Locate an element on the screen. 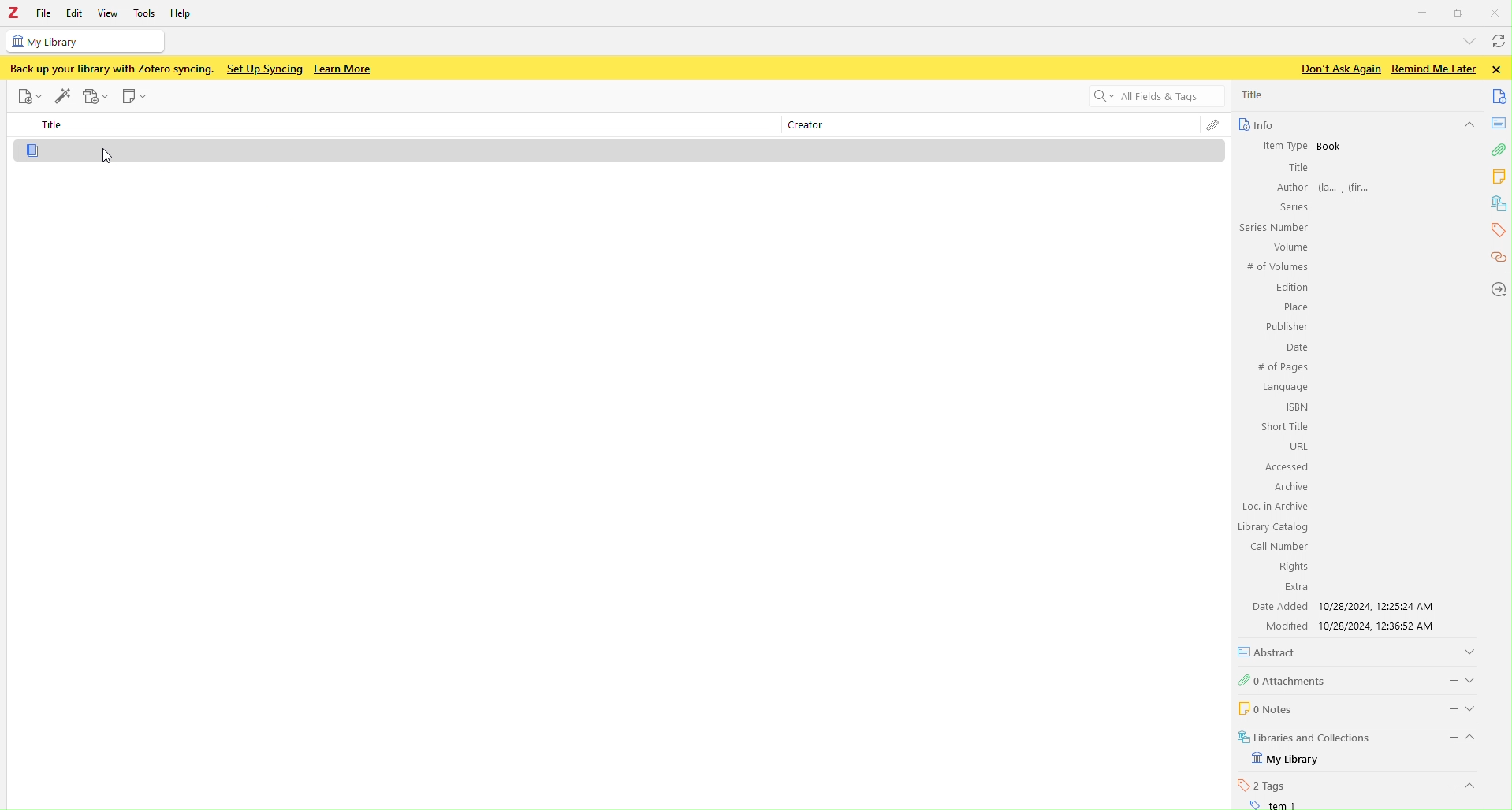 The image size is (1512, 810). Learn More is located at coordinates (344, 69).